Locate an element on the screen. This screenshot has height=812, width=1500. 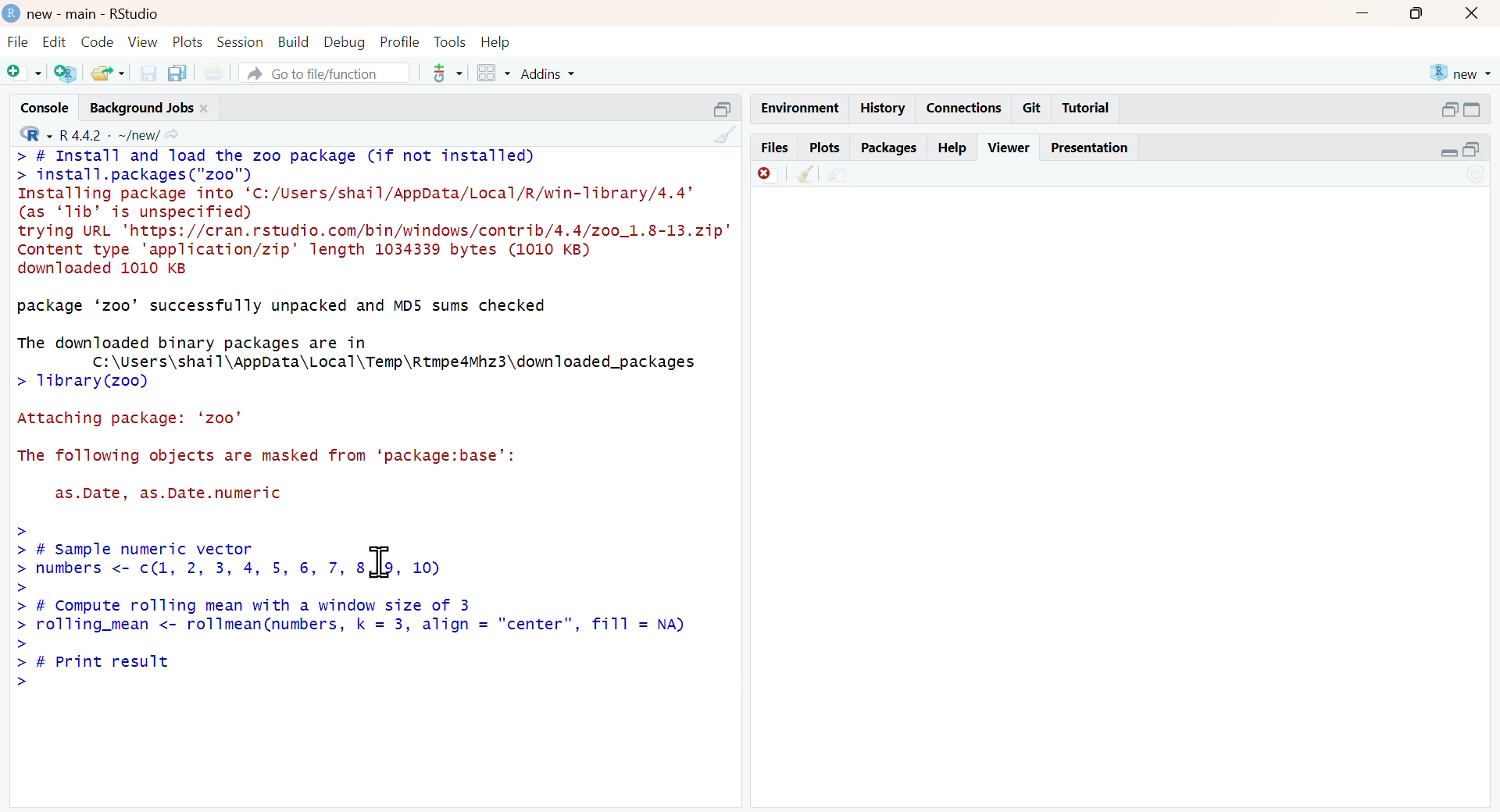
open in separate window is located at coordinates (724, 109).